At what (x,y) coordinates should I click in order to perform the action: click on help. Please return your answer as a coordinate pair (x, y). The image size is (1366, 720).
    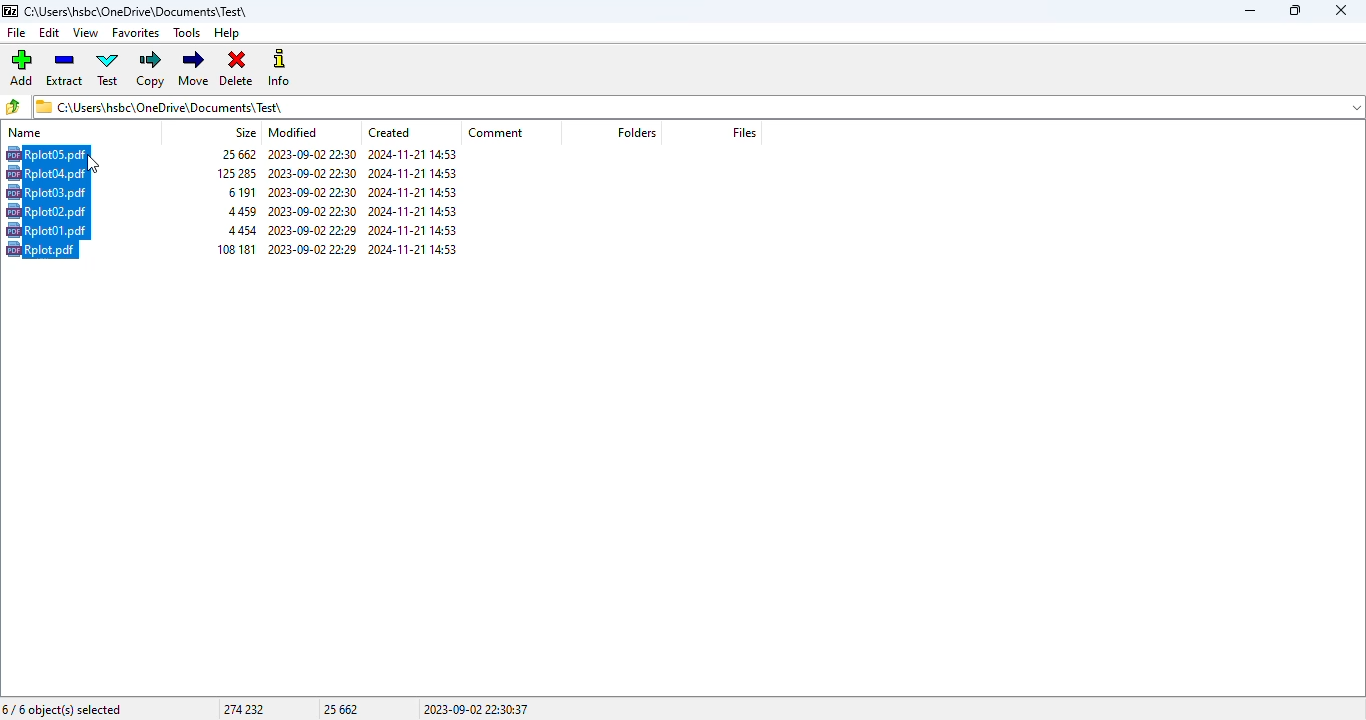
    Looking at the image, I should click on (227, 33).